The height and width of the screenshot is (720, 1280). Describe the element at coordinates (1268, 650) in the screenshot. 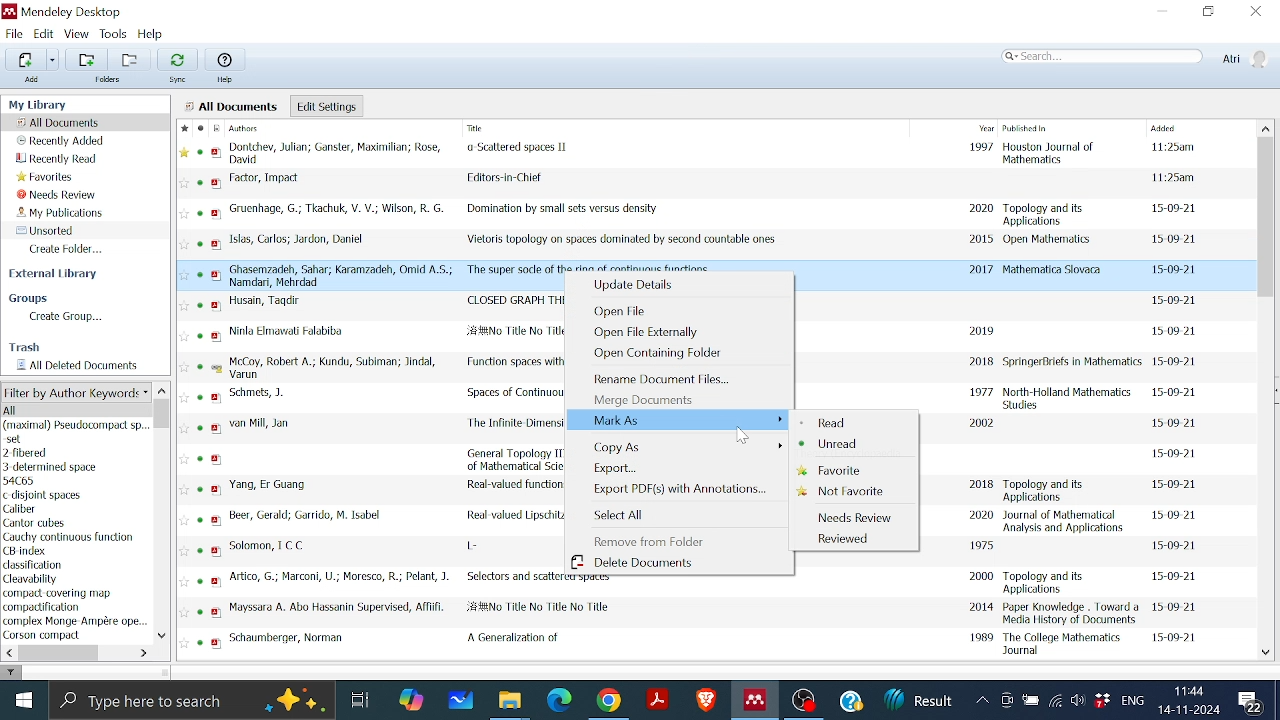

I see `Move down in all files` at that location.